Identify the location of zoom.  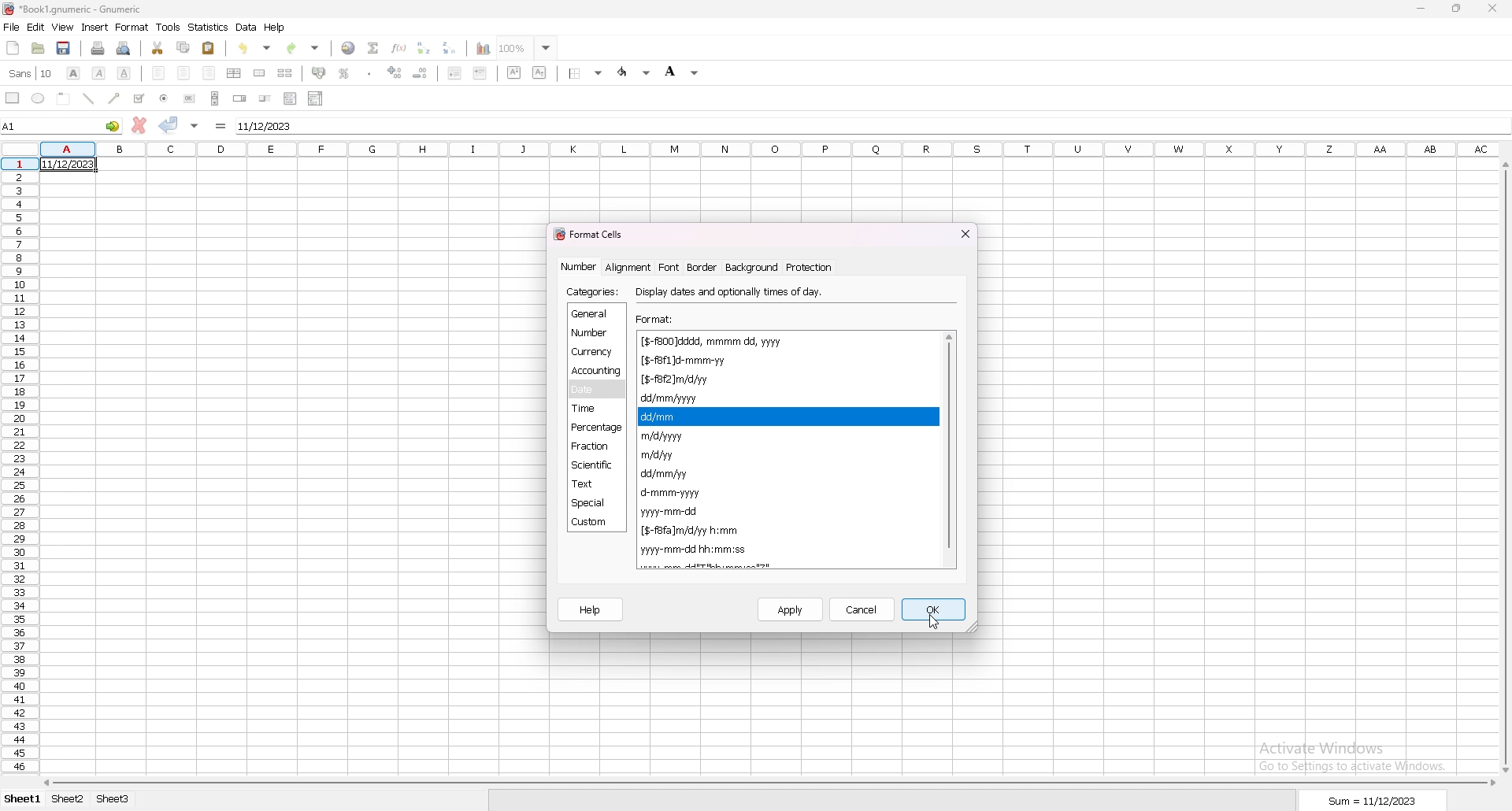
(528, 47).